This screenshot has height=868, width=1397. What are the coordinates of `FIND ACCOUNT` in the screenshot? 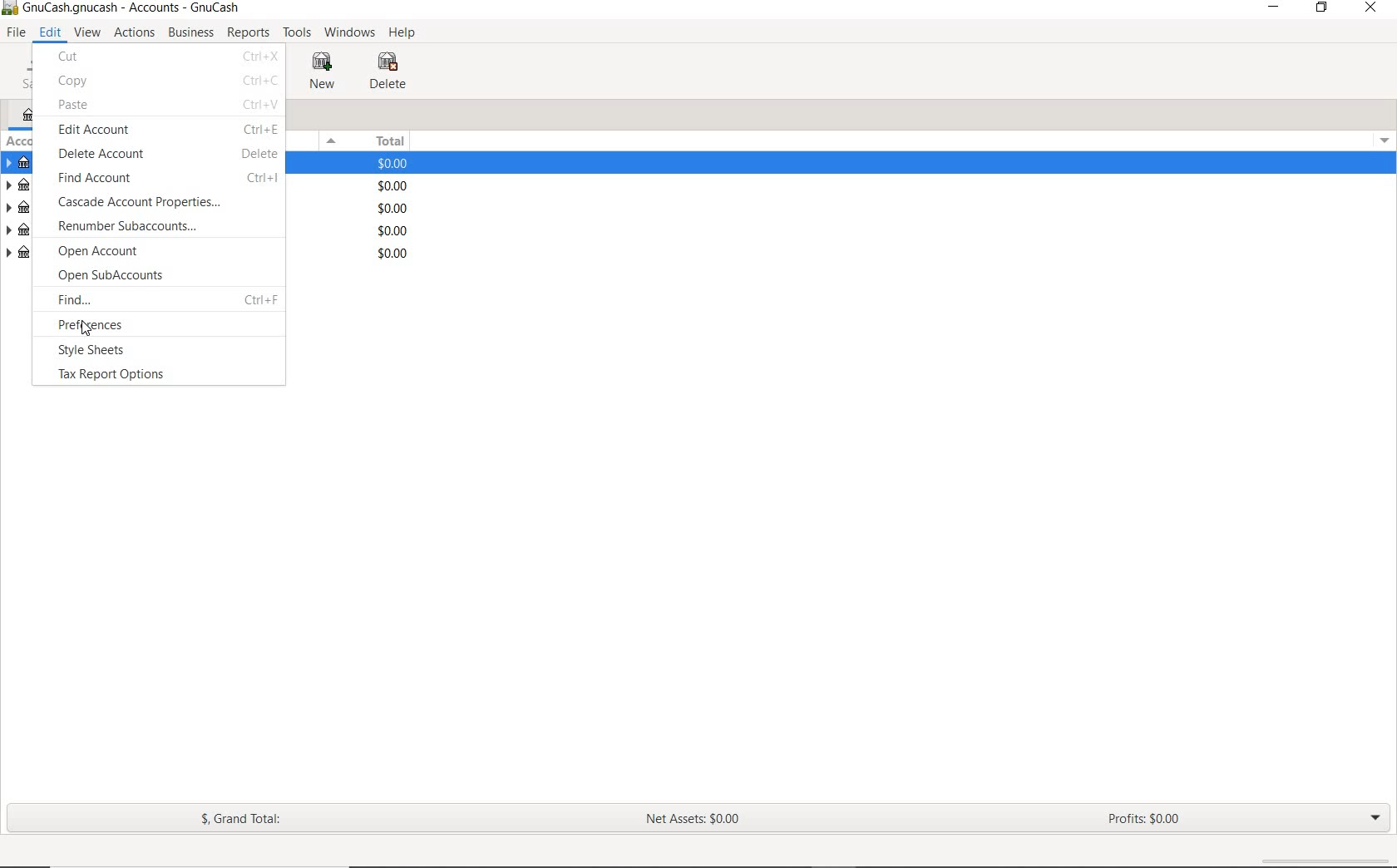 It's located at (165, 180).